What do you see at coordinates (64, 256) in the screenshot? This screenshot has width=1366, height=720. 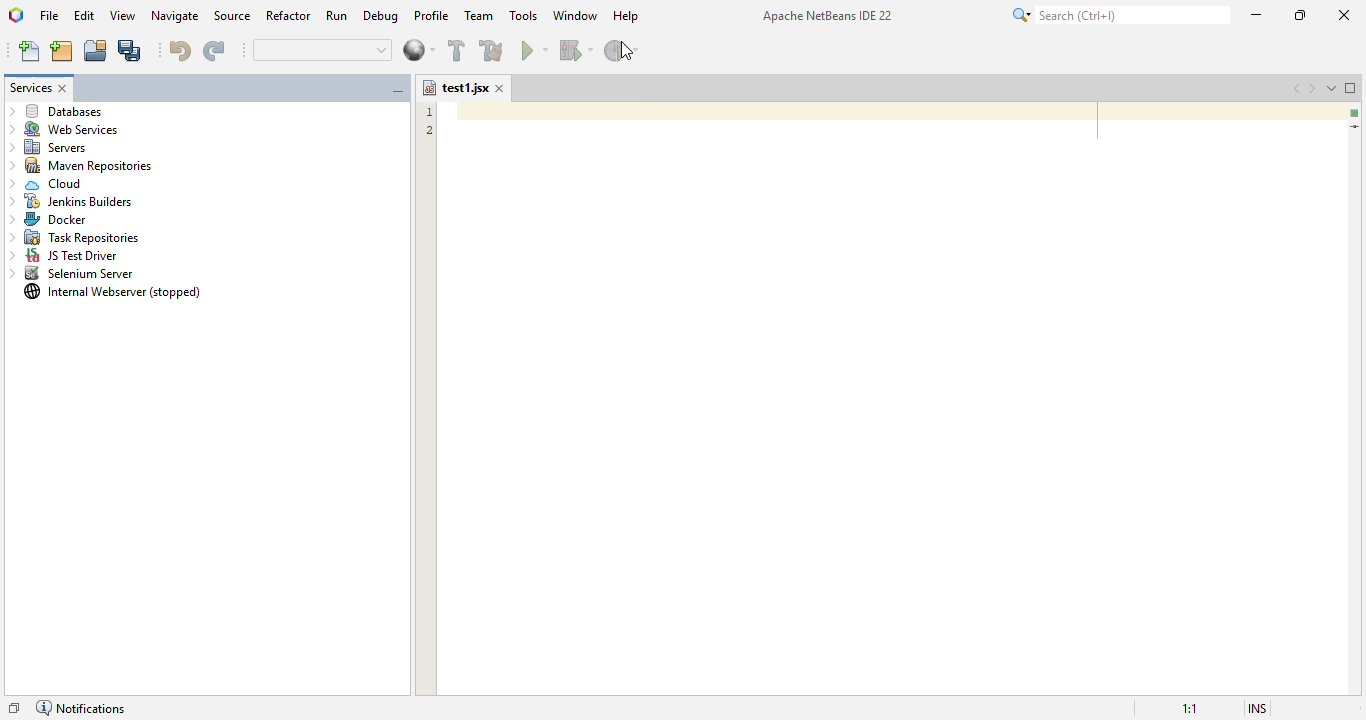 I see `JS test driver` at bounding box center [64, 256].